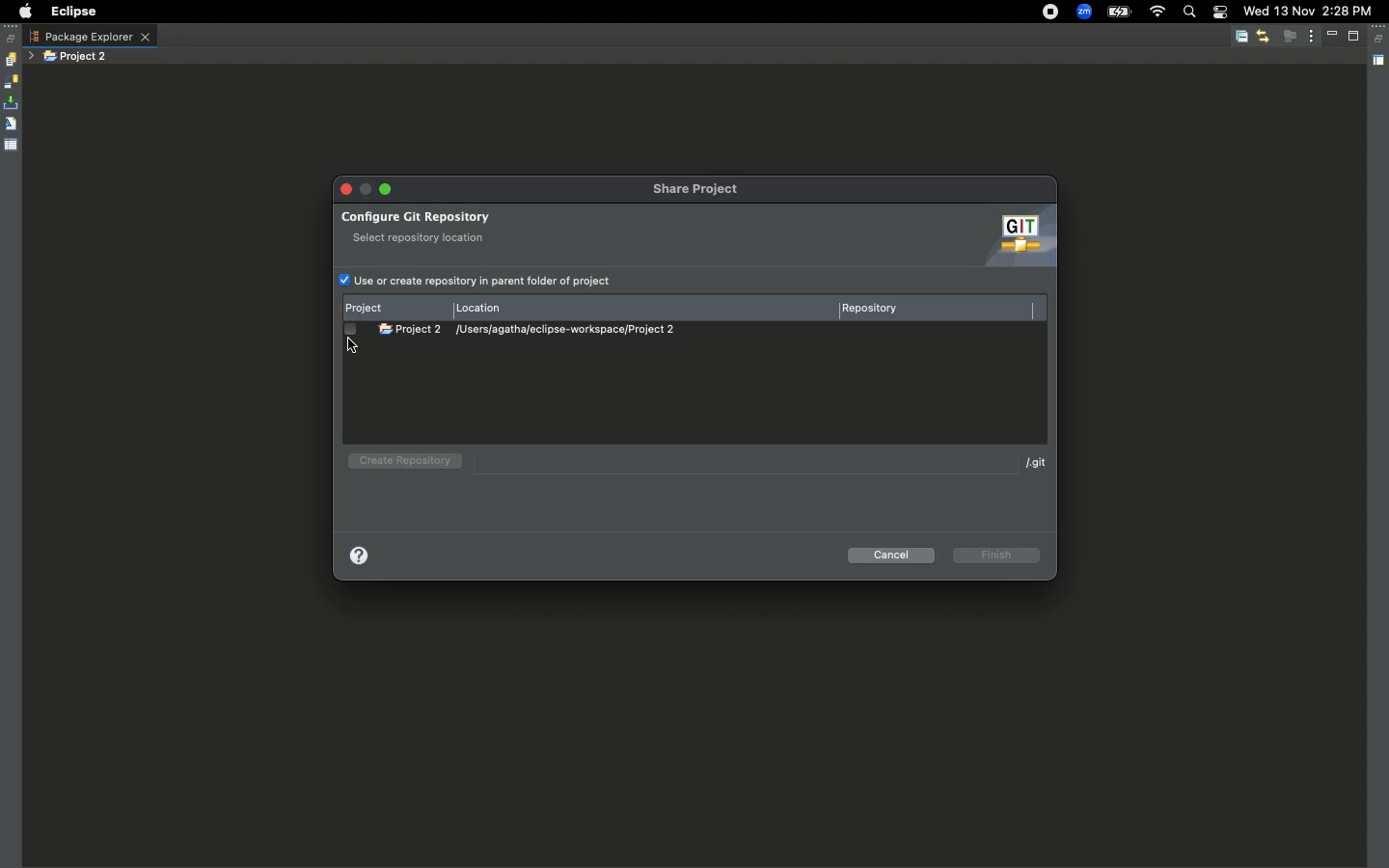 The height and width of the screenshot is (868, 1389). Describe the element at coordinates (11, 125) in the screenshot. I see `Git reflog` at that location.